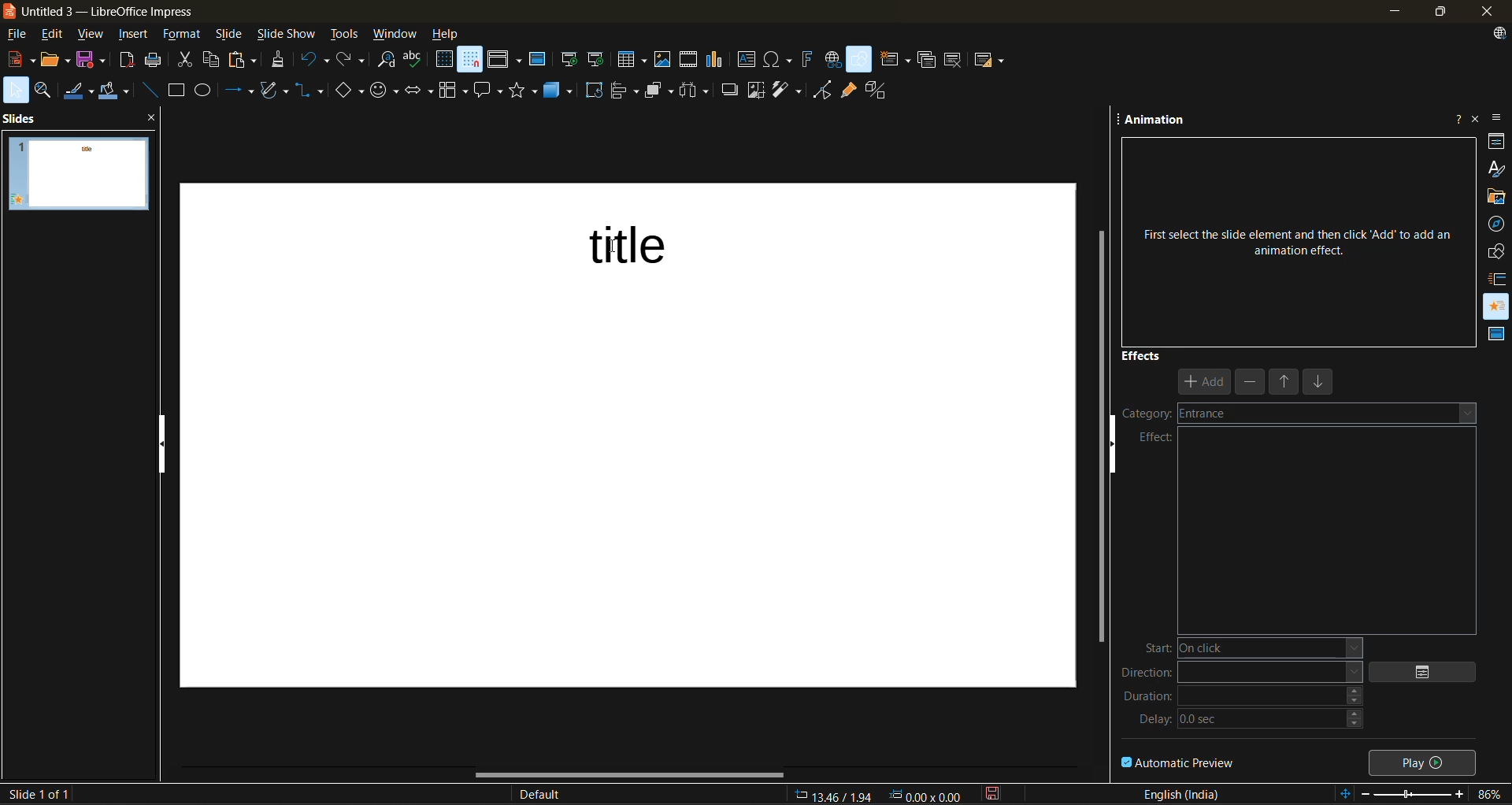 The width and height of the screenshot is (1512, 805). Describe the element at coordinates (1430, 672) in the screenshot. I see `options` at that location.